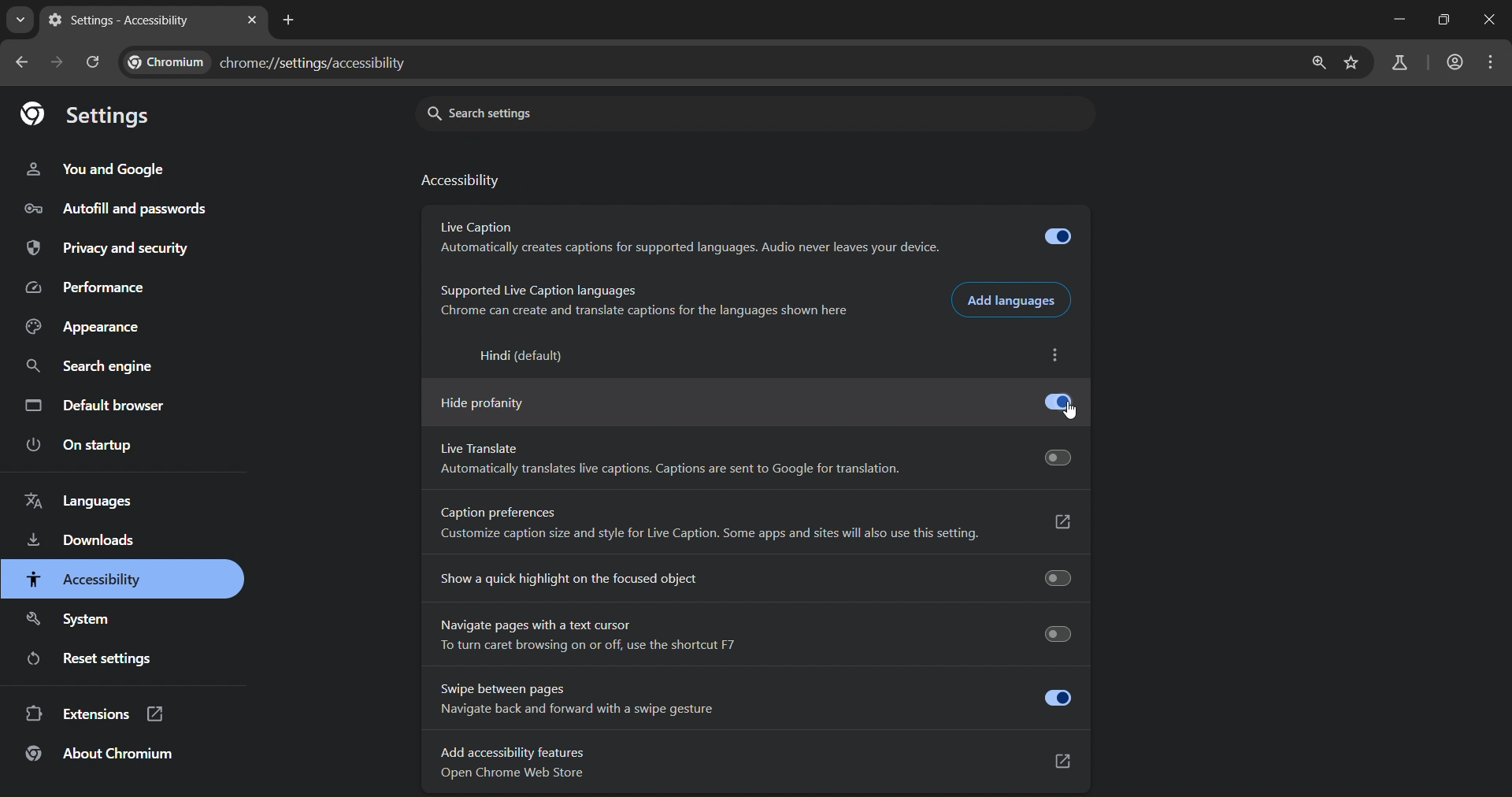  What do you see at coordinates (98, 751) in the screenshot?
I see `about chromium` at bounding box center [98, 751].